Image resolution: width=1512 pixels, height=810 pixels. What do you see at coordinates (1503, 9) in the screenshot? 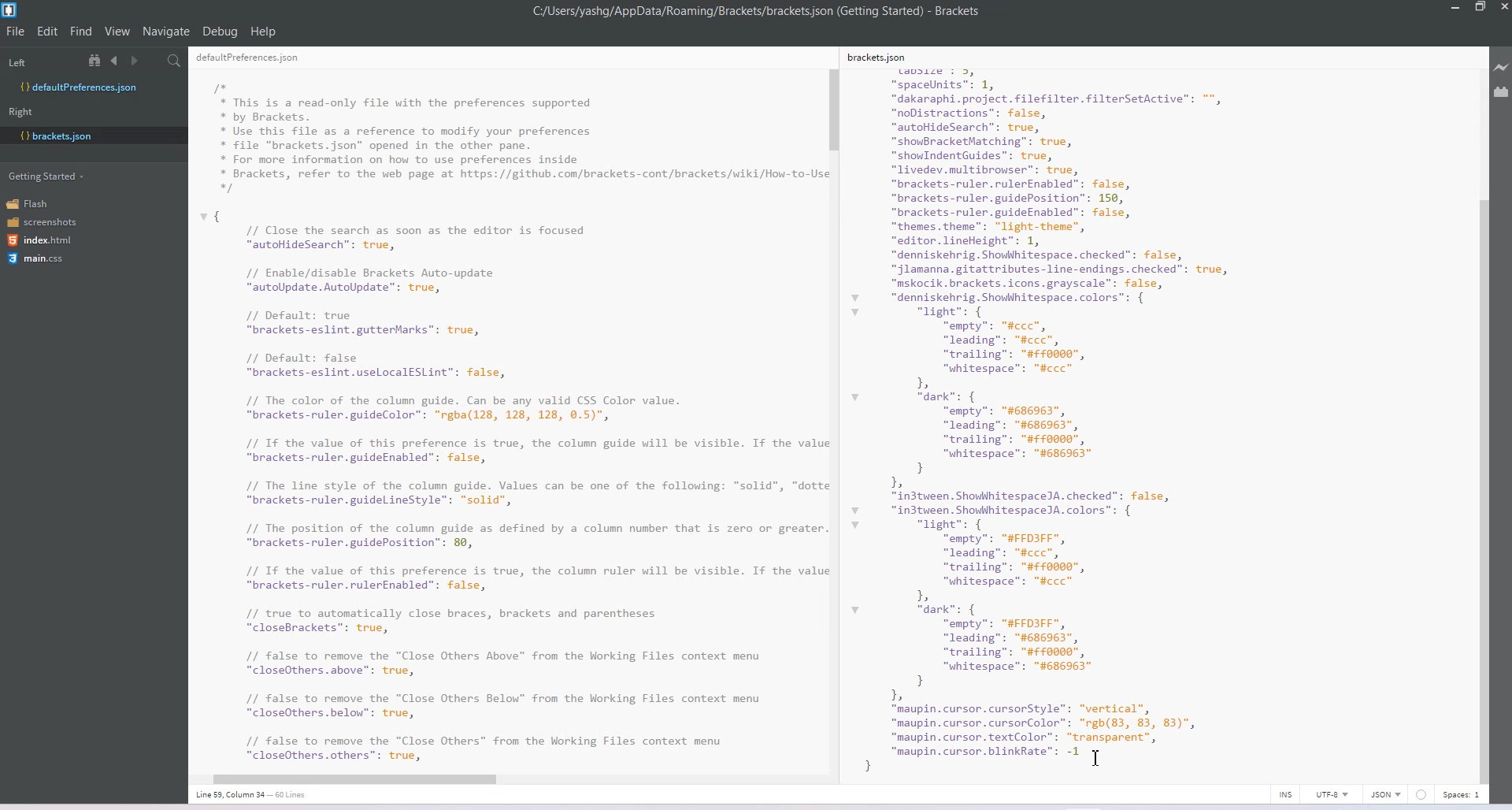
I see `Close` at bounding box center [1503, 9].